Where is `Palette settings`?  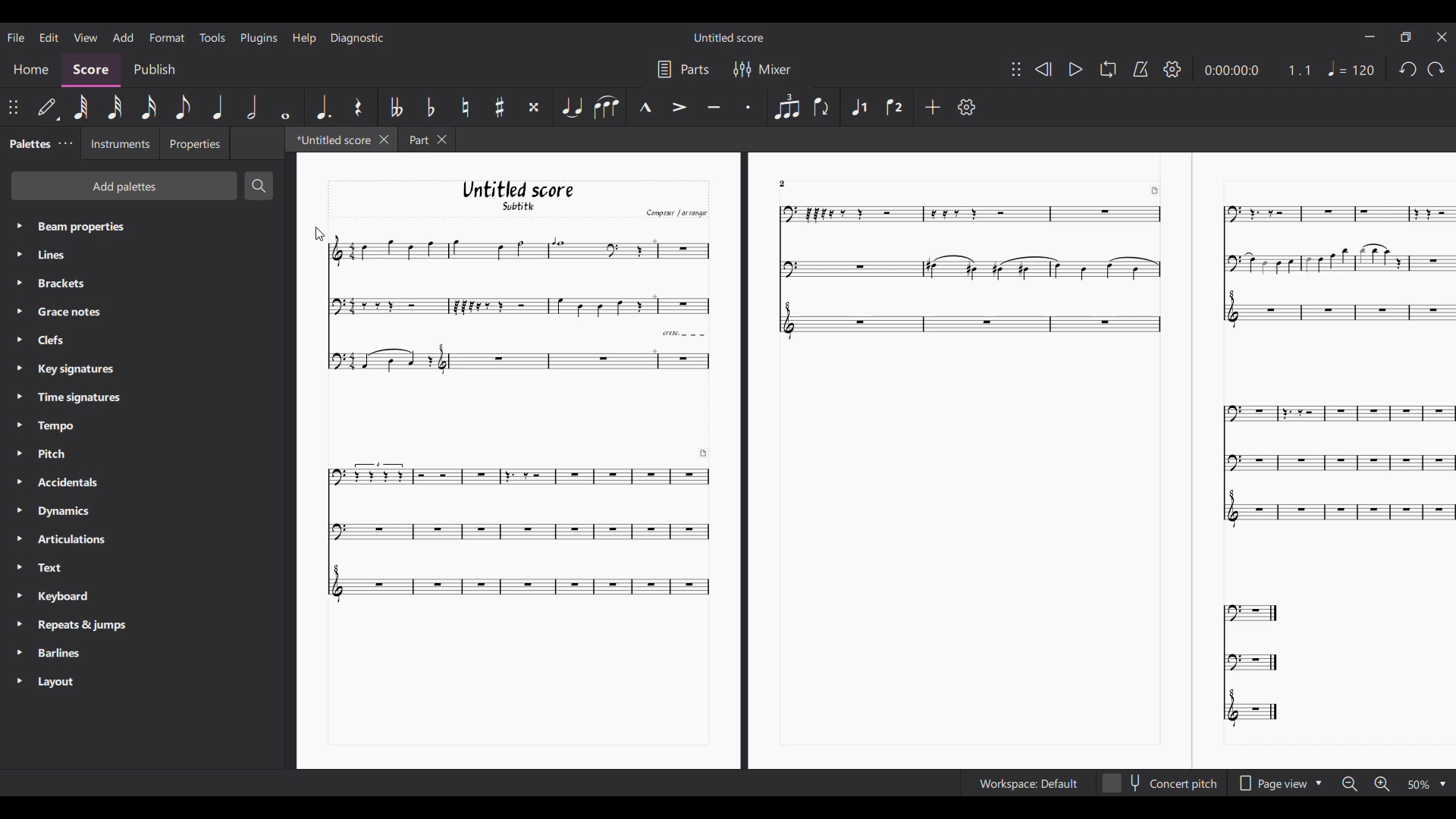 Palette settings is located at coordinates (65, 144).